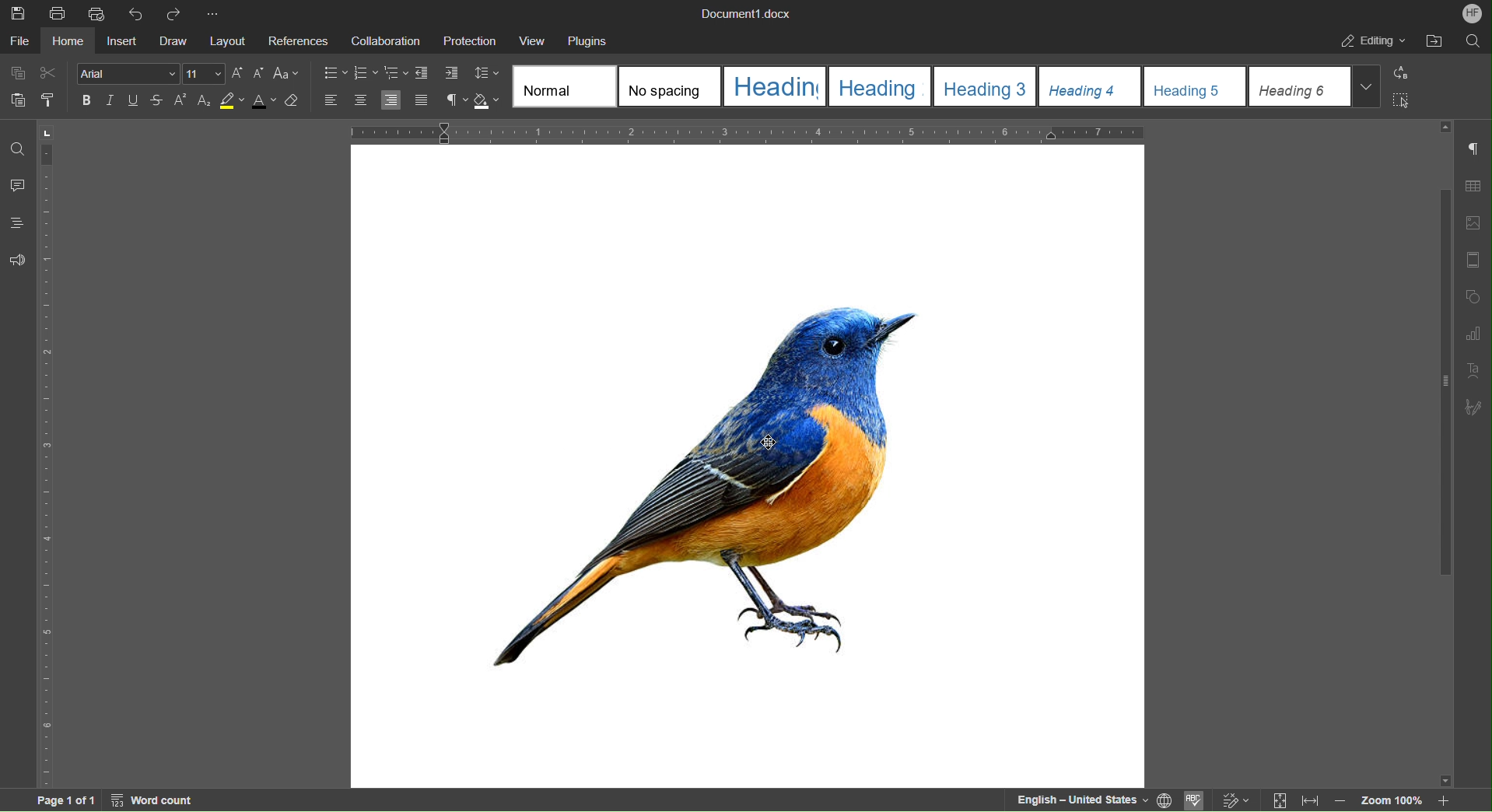 The width and height of the screenshot is (1492, 812). What do you see at coordinates (17, 224) in the screenshot?
I see `Headings` at bounding box center [17, 224].